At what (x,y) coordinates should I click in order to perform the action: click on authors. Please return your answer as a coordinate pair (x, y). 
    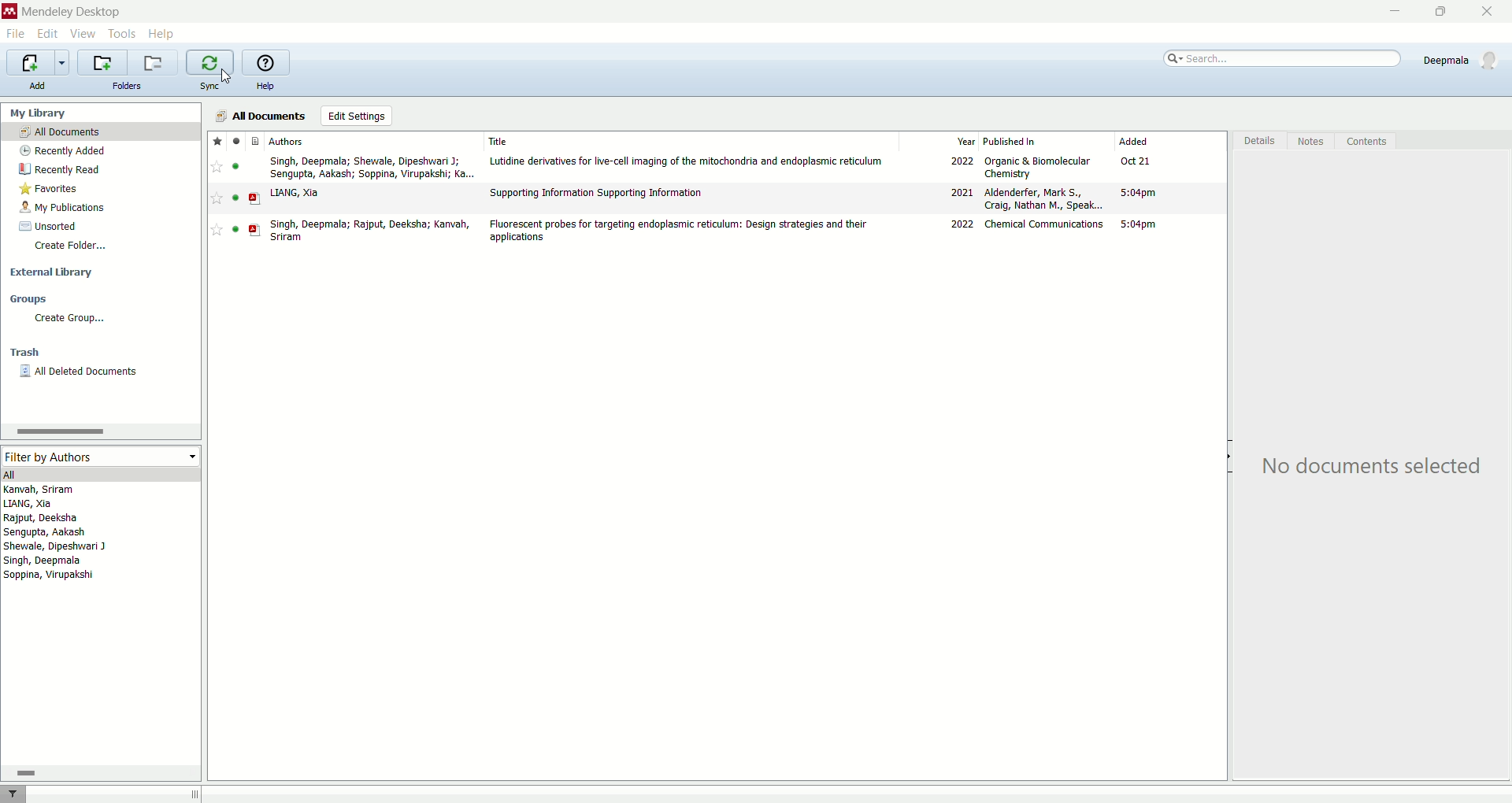
    Looking at the image, I should click on (372, 142).